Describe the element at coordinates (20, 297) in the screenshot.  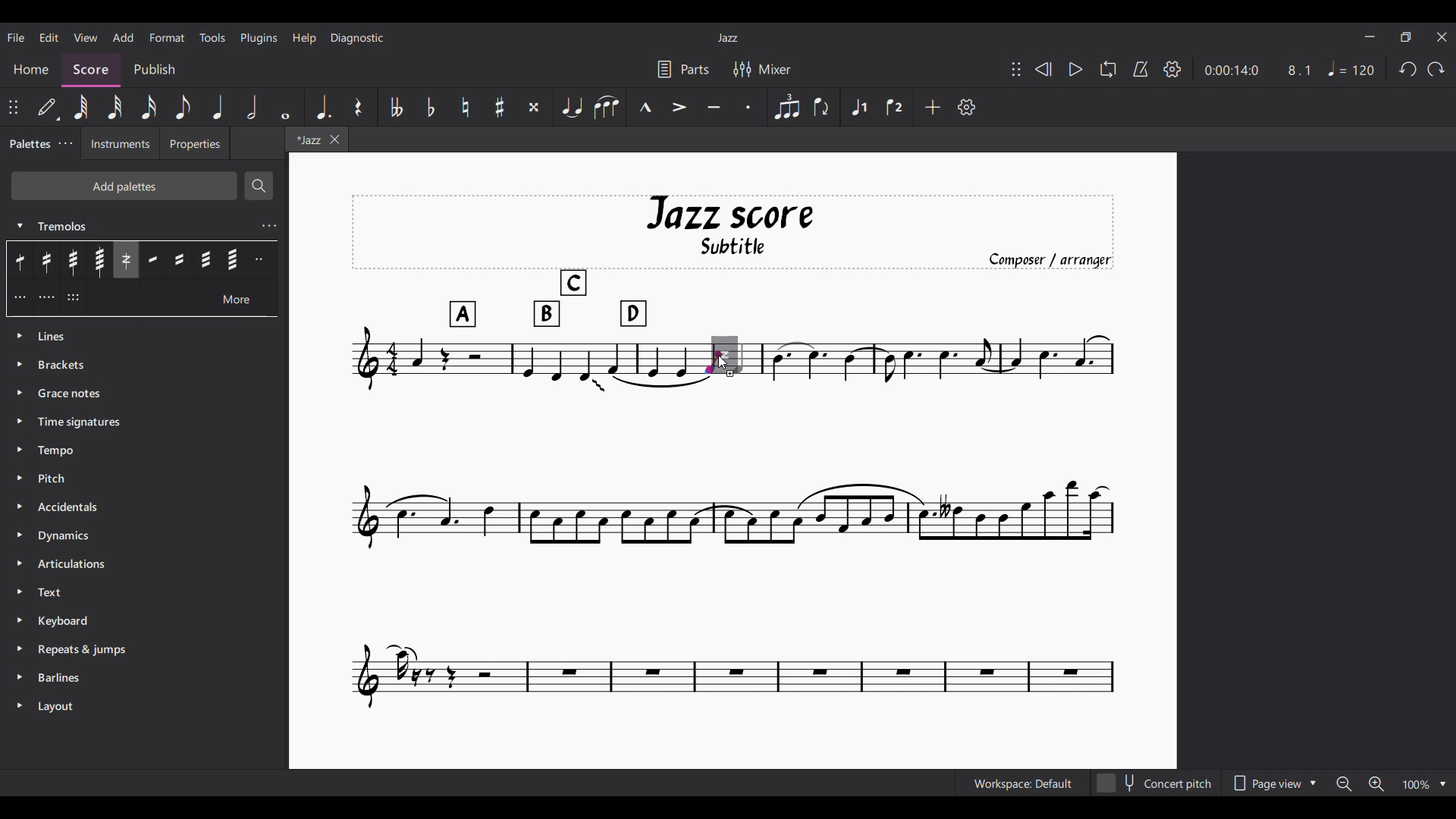
I see `Divide measured Tremolo by 3` at that location.